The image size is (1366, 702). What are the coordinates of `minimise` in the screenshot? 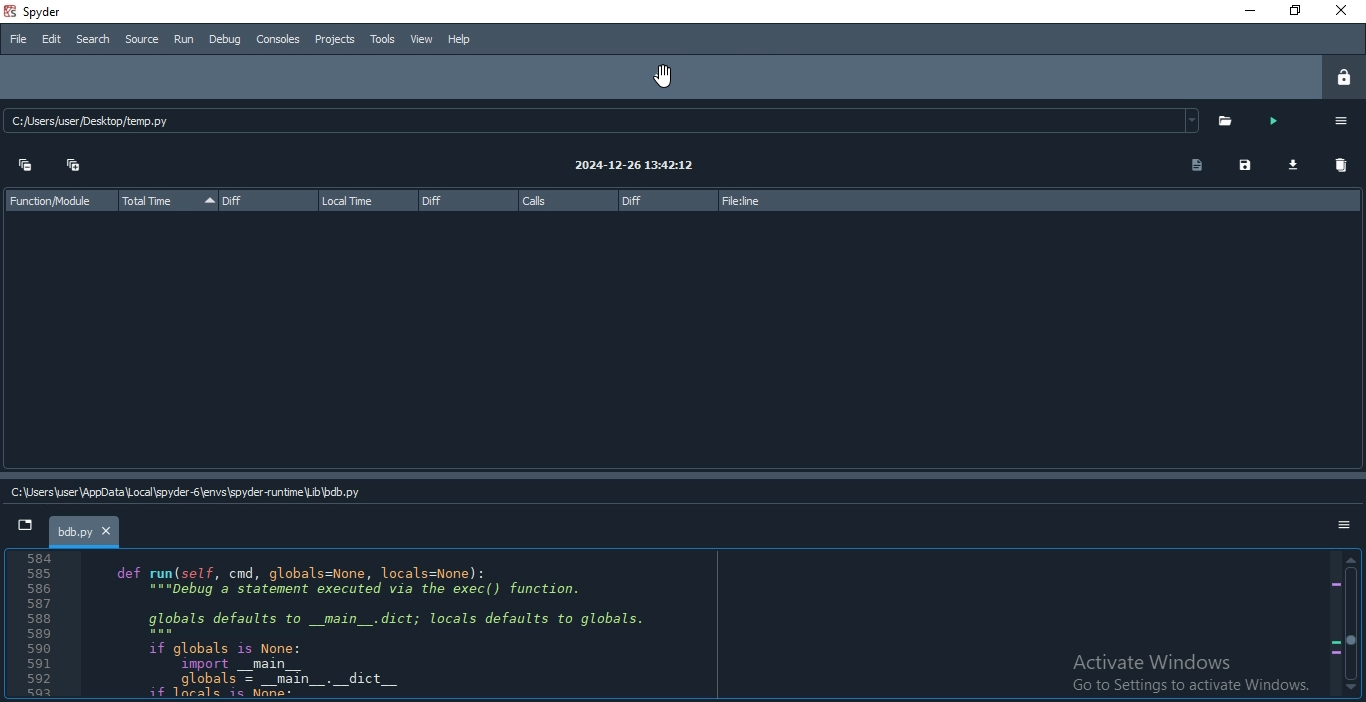 It's located at (1248, 13).